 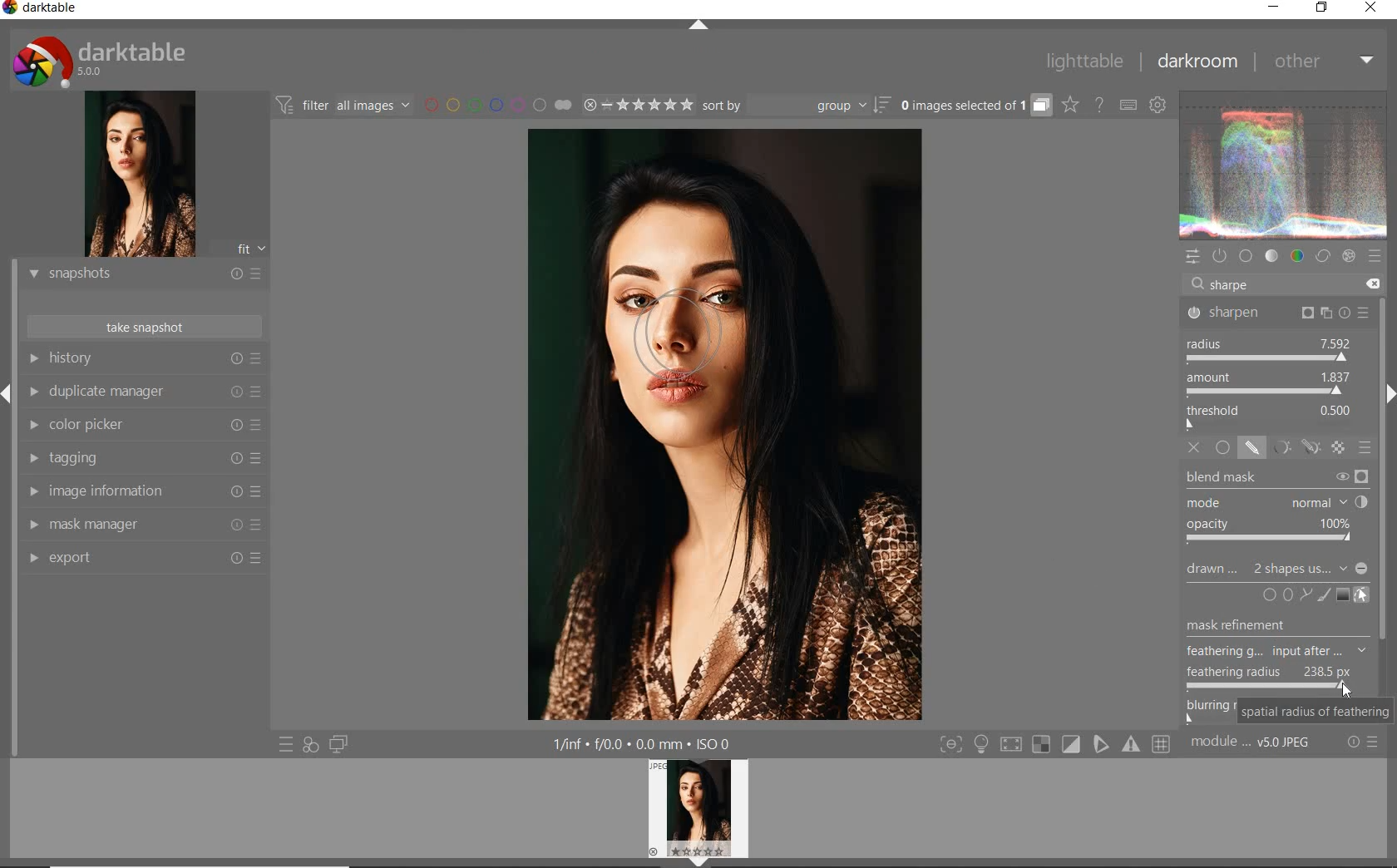 What do you see at coordinates (1276, 476) in the screenshot?
I see `BLEND MASK` at bounding box center [1276, 476].